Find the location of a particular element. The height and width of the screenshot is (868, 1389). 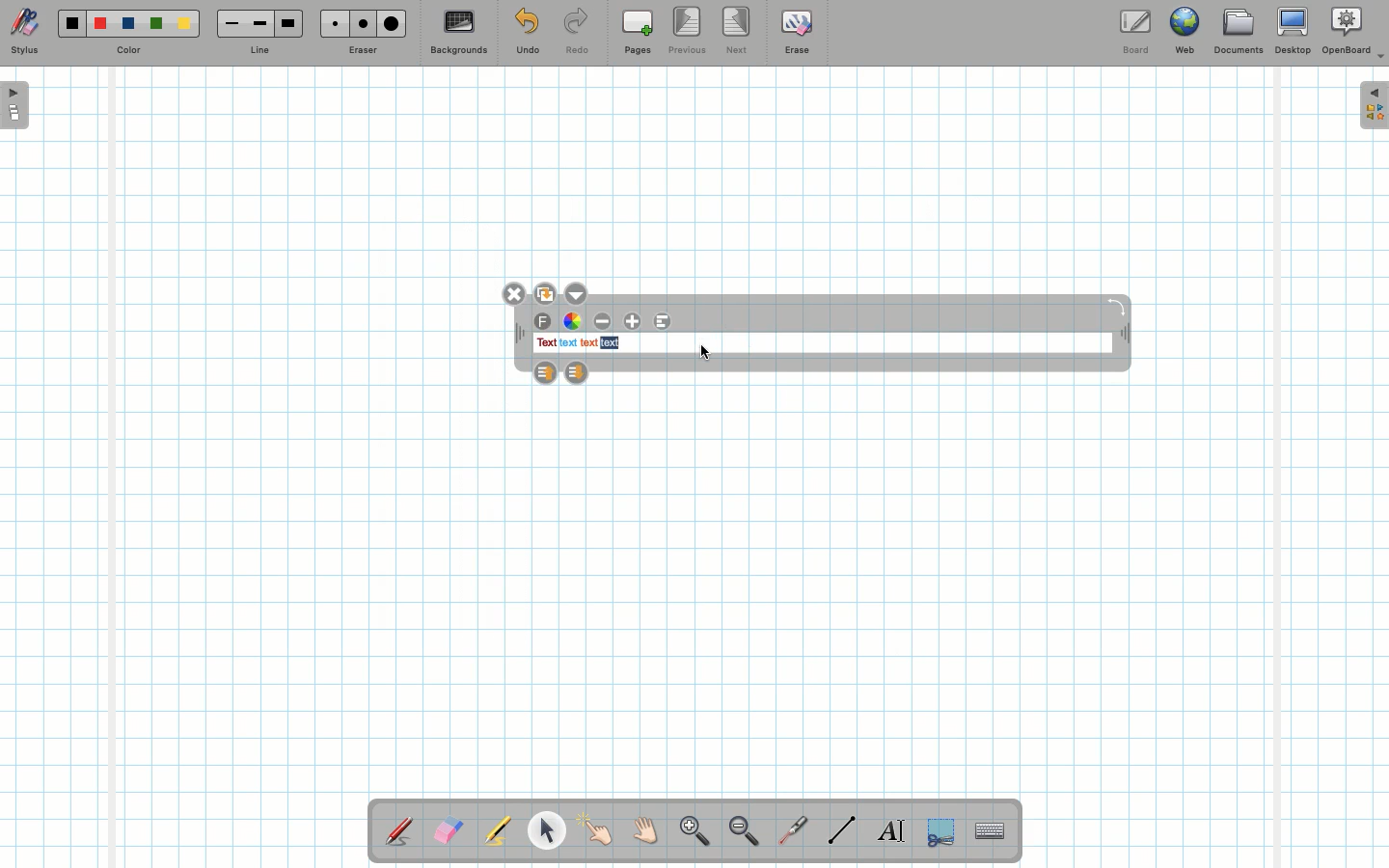

Stylus is located at coordinates (24, 32).